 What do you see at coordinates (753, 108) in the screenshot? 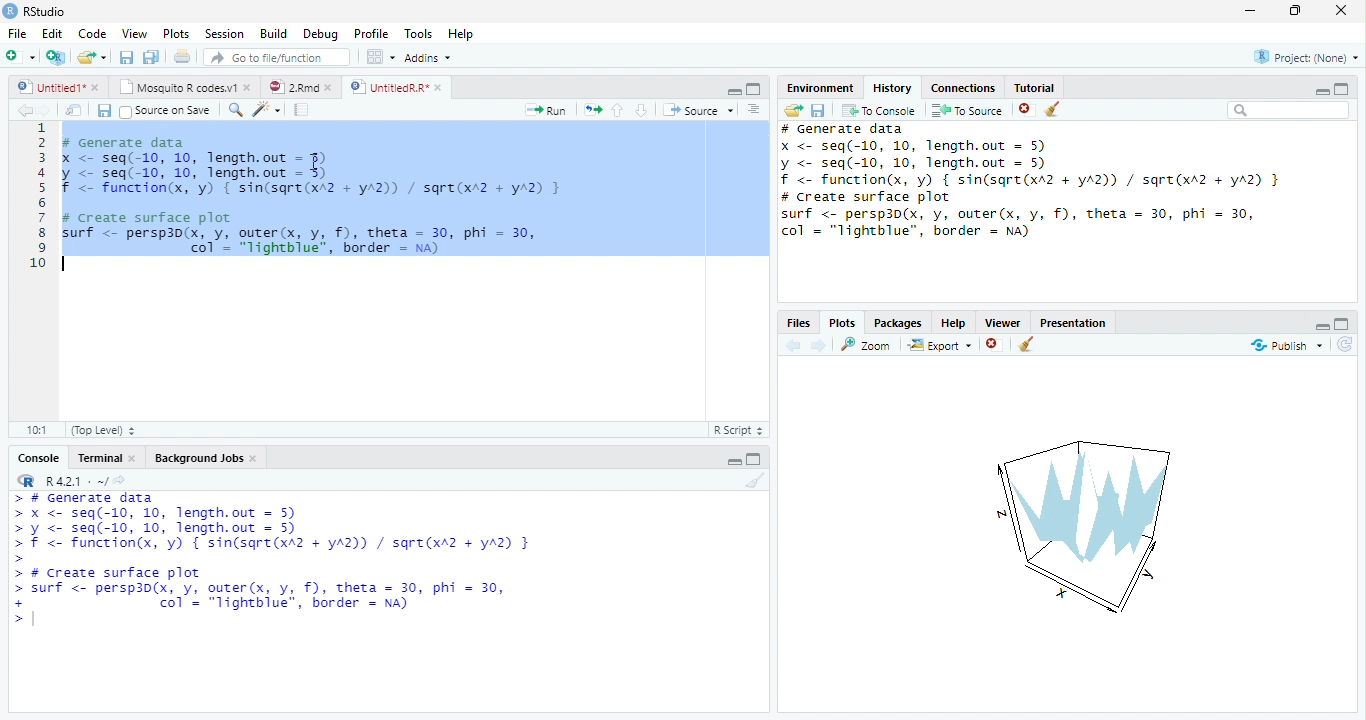
I see `Show document outline` at bounding box center [753, 108].